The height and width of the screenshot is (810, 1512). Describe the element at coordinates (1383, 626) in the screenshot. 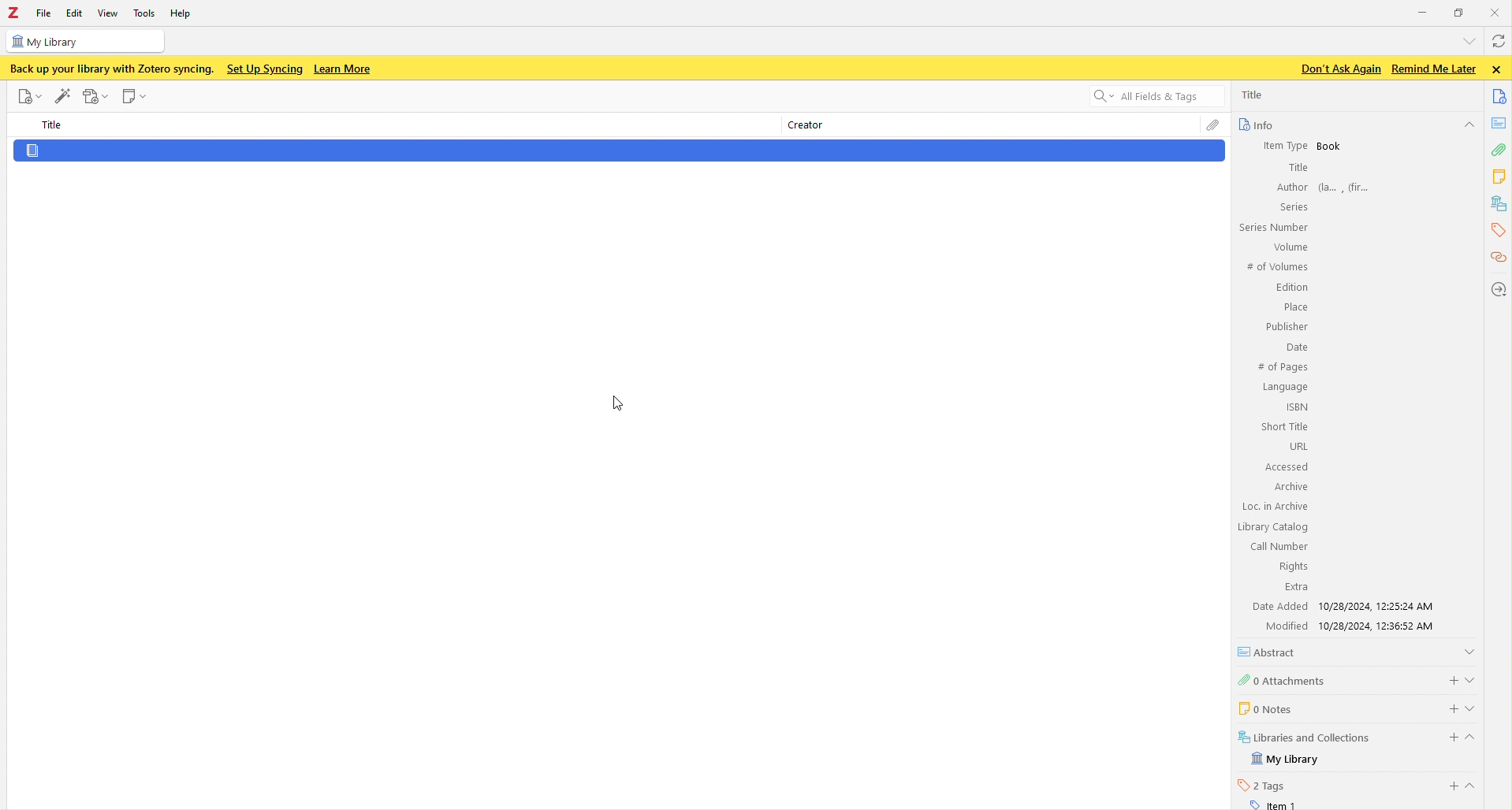

I see `10/28/2024, 12:36:52 AM` at that location.